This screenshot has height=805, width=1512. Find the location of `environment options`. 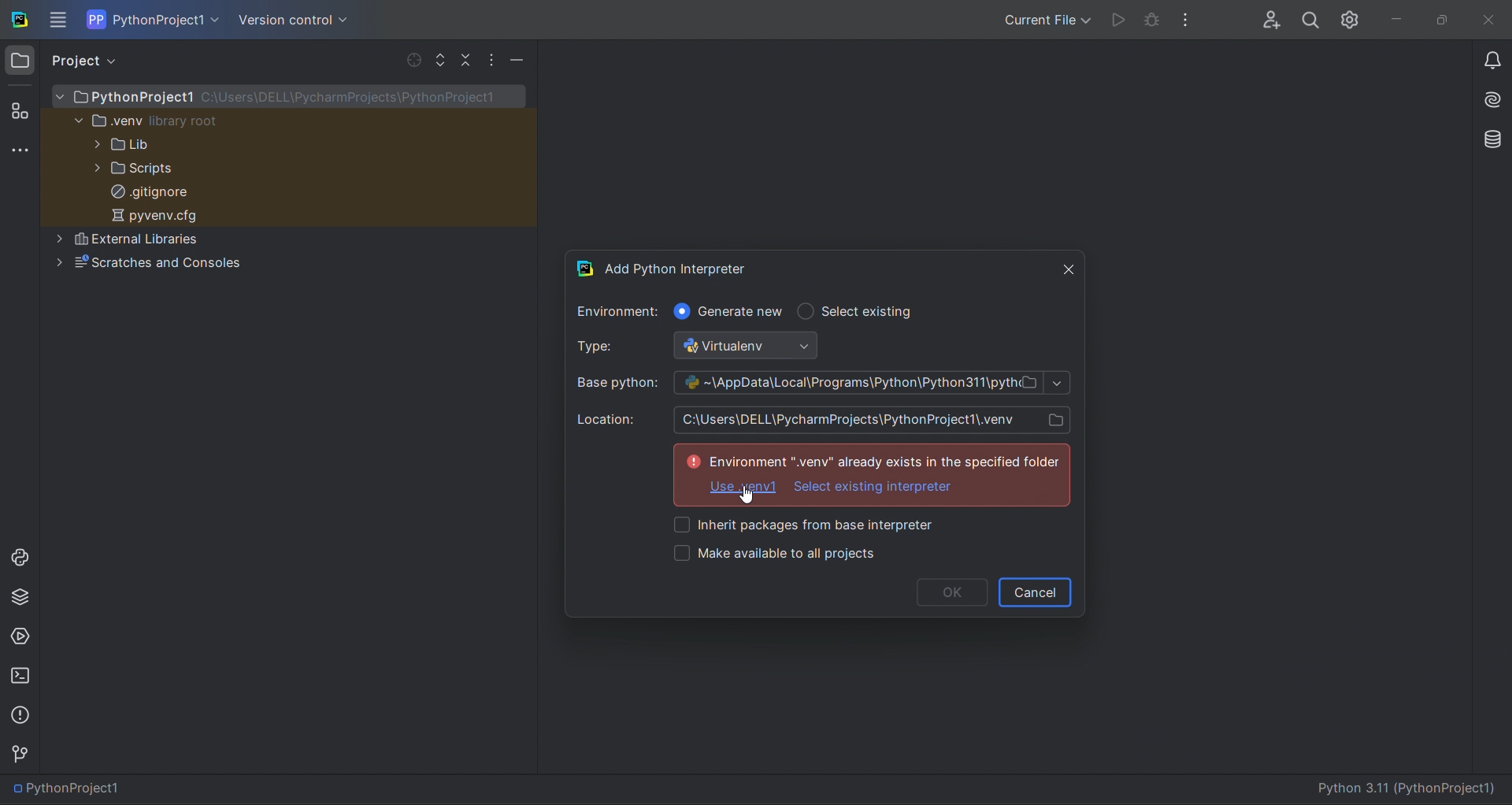

environment options is located at coordinates (750, 311).